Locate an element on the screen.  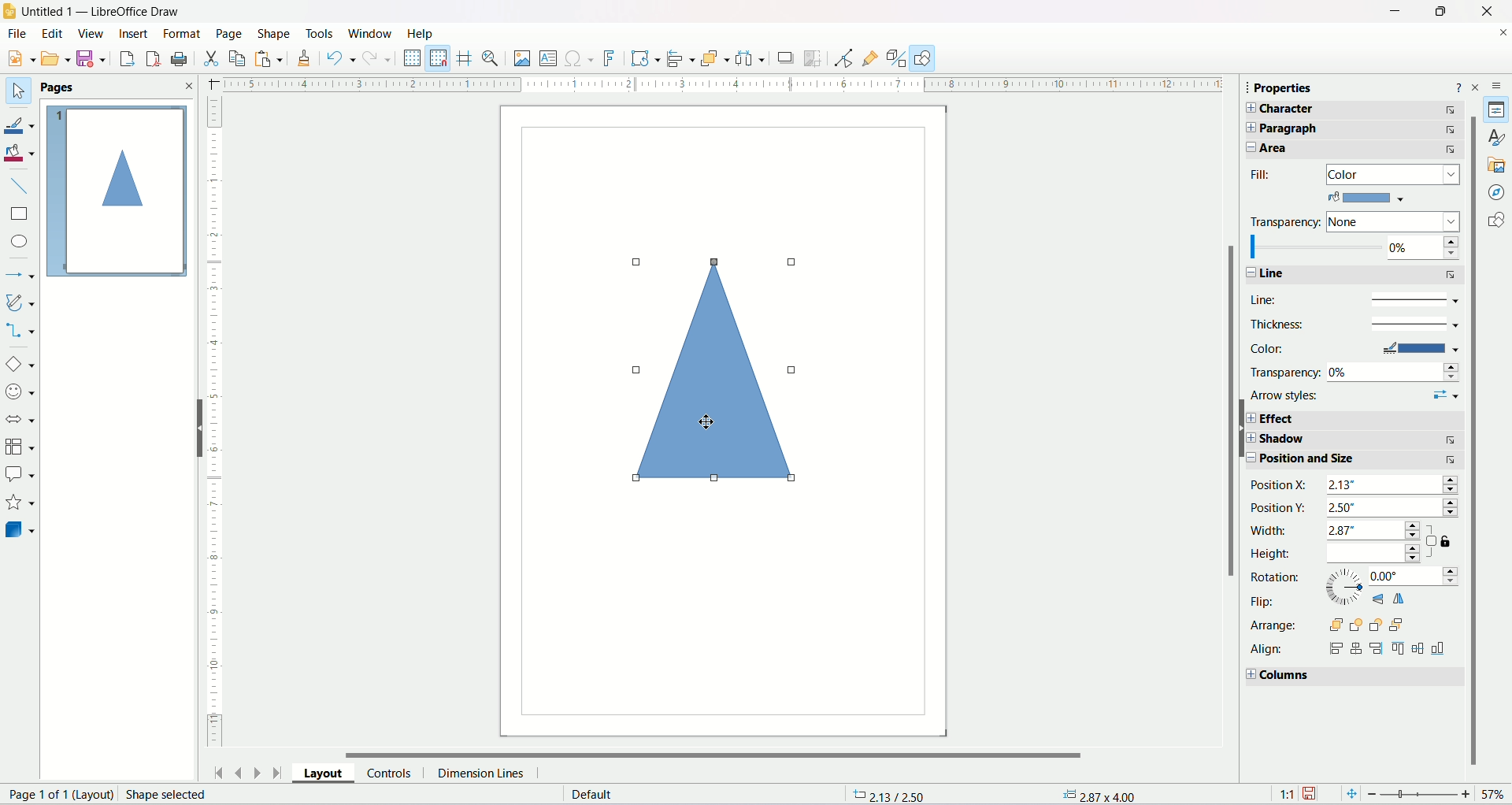
Gallery is located at coordinates (1497, 163).